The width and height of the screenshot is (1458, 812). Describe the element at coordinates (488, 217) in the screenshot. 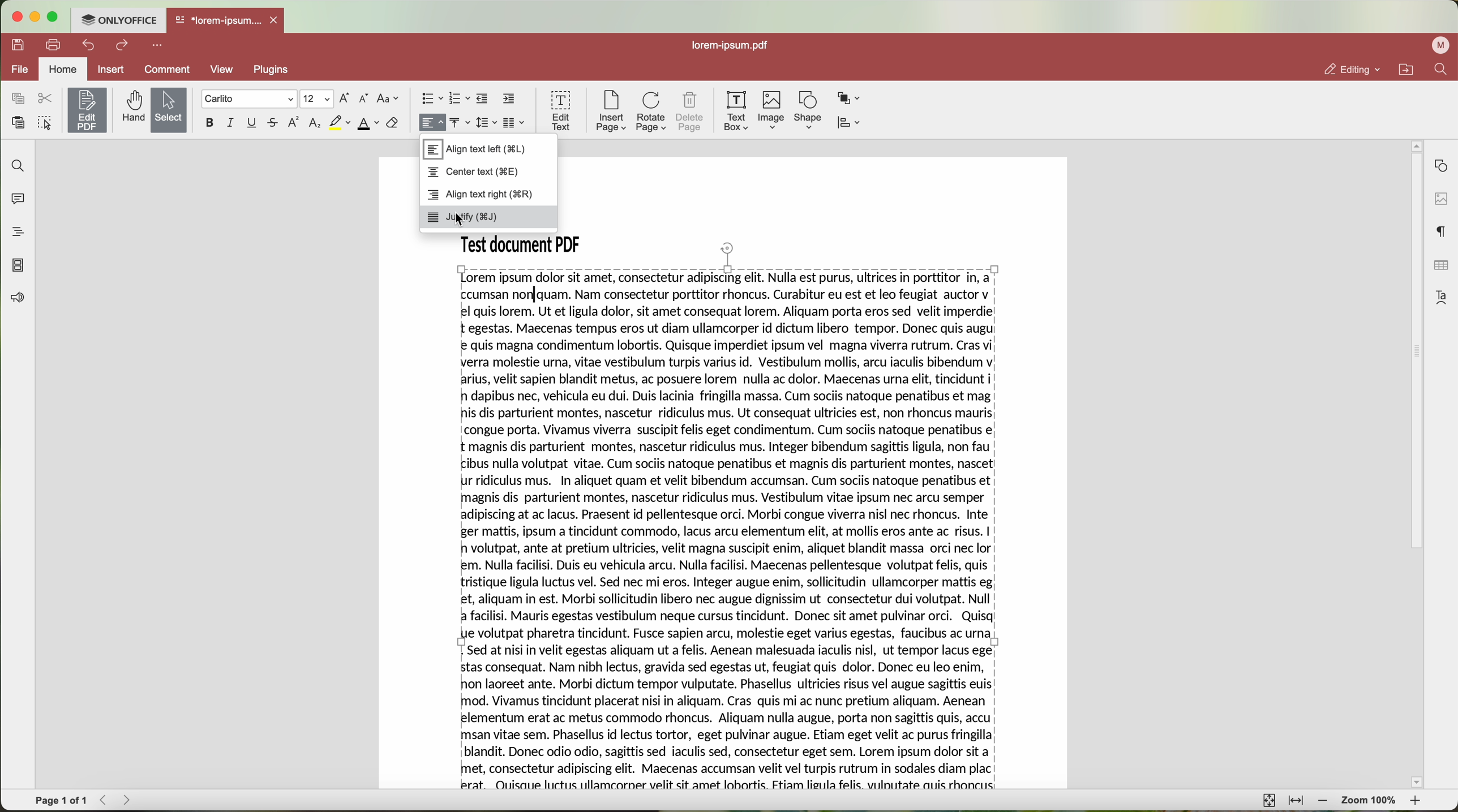

I see `click on justify` at that location.